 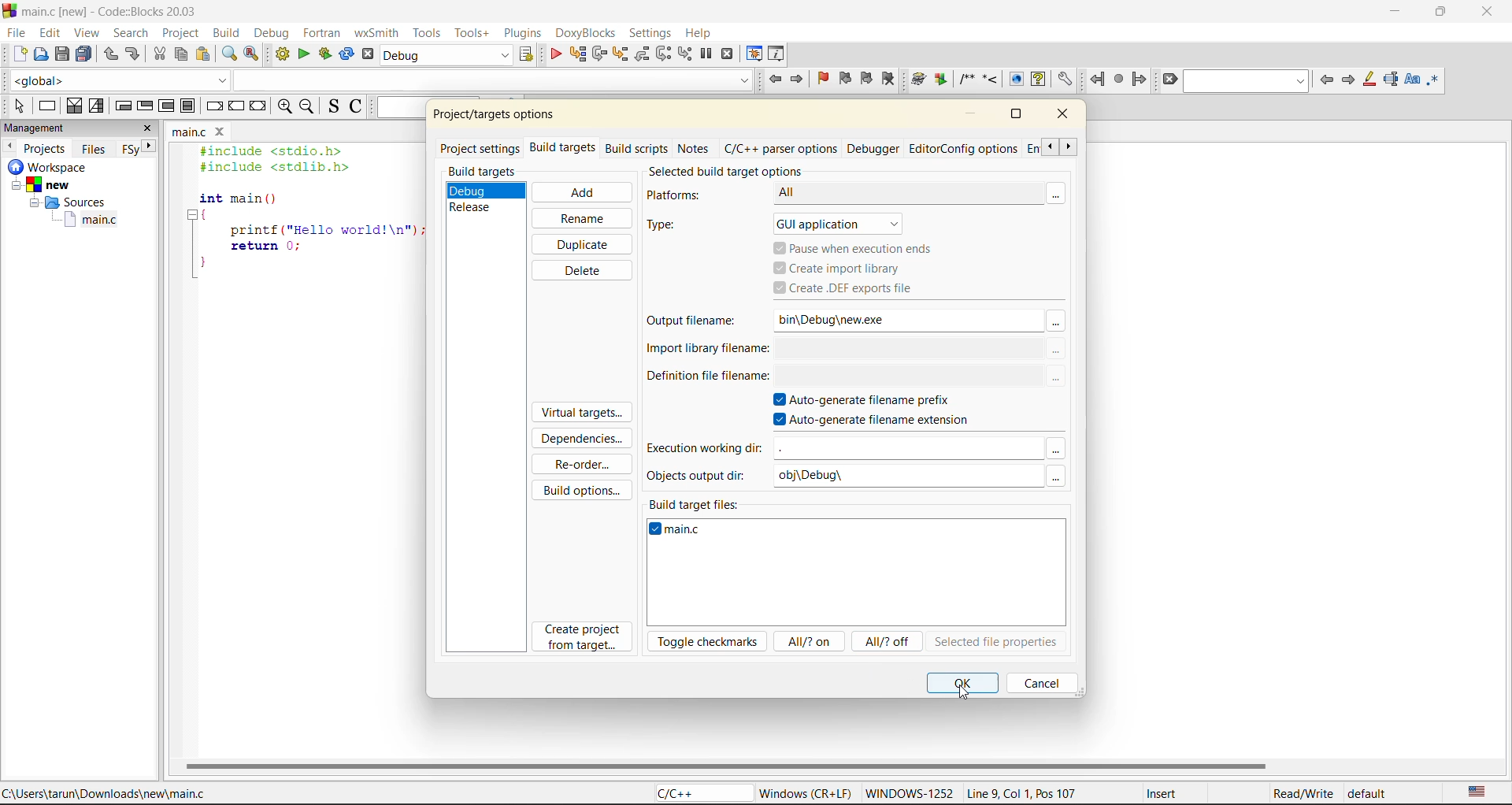 What do you see at coordinates (113, 10) in the screenshot?
I see `main.c [new] - Code::Blocks 20.03` at bounding box center [113, 10].